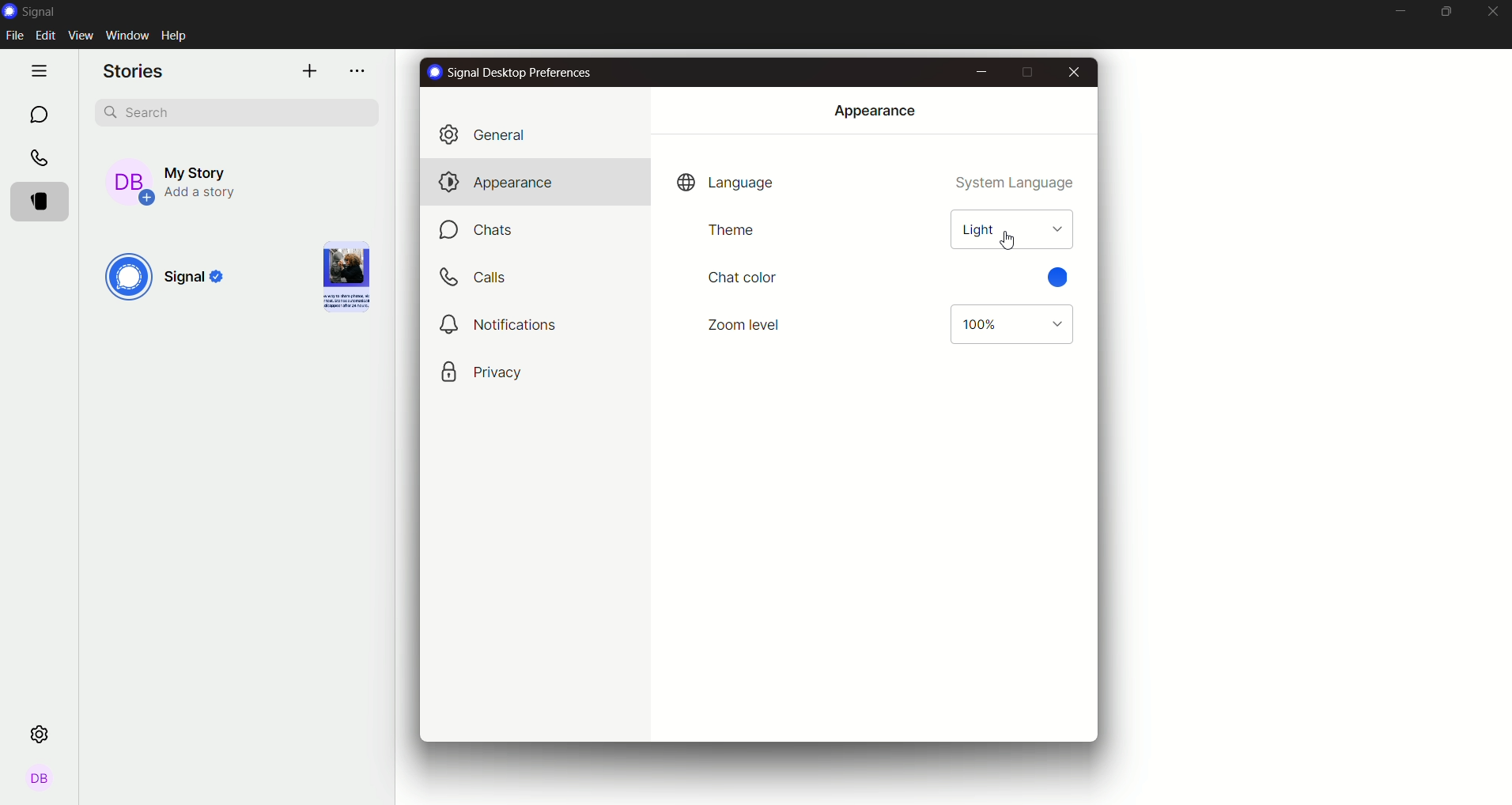 This screenshot has width=1512, height=805. I want to click on chats, so click(482, 231).